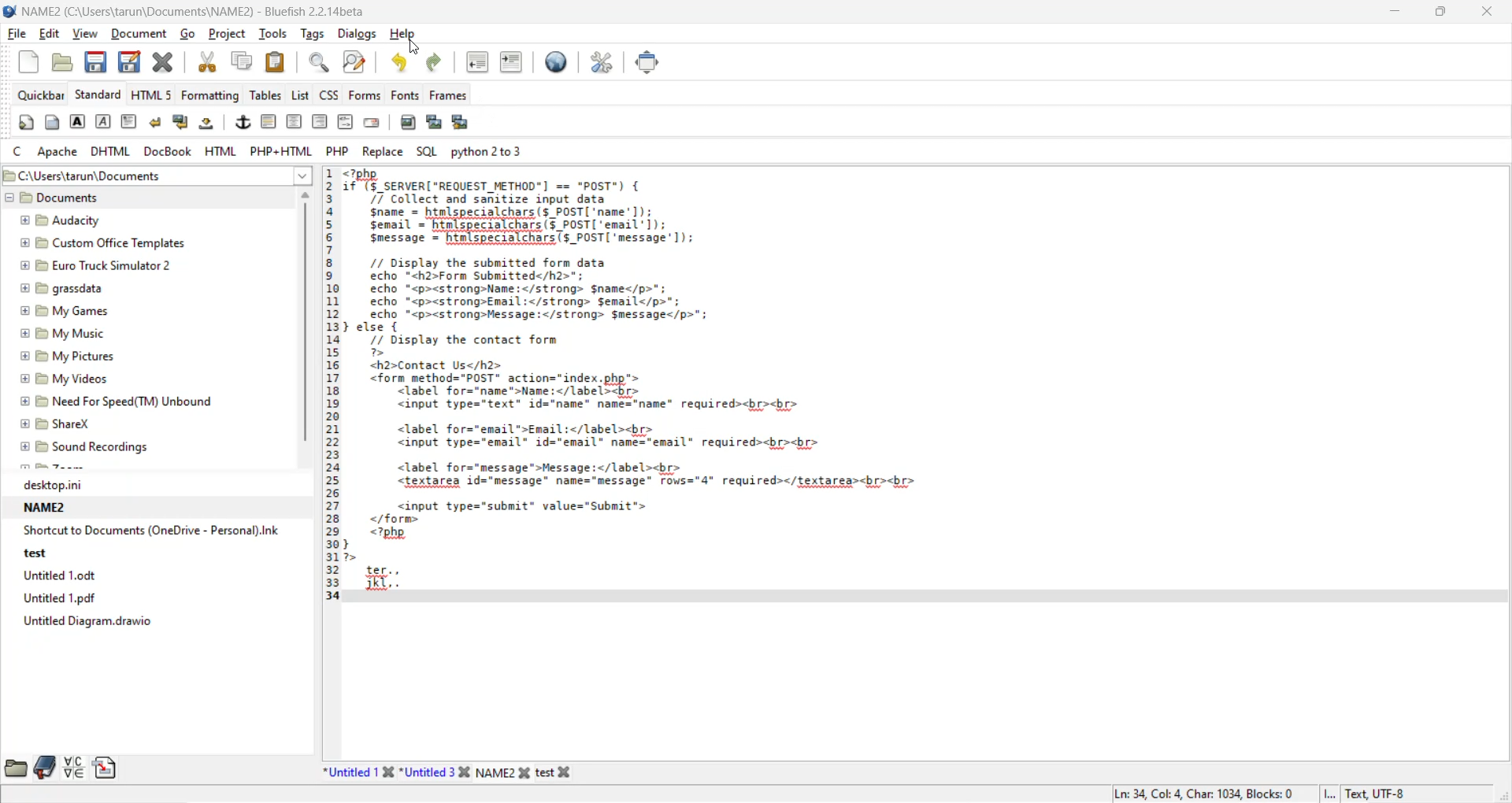  I want to click on SharexX, so click(58, 424).